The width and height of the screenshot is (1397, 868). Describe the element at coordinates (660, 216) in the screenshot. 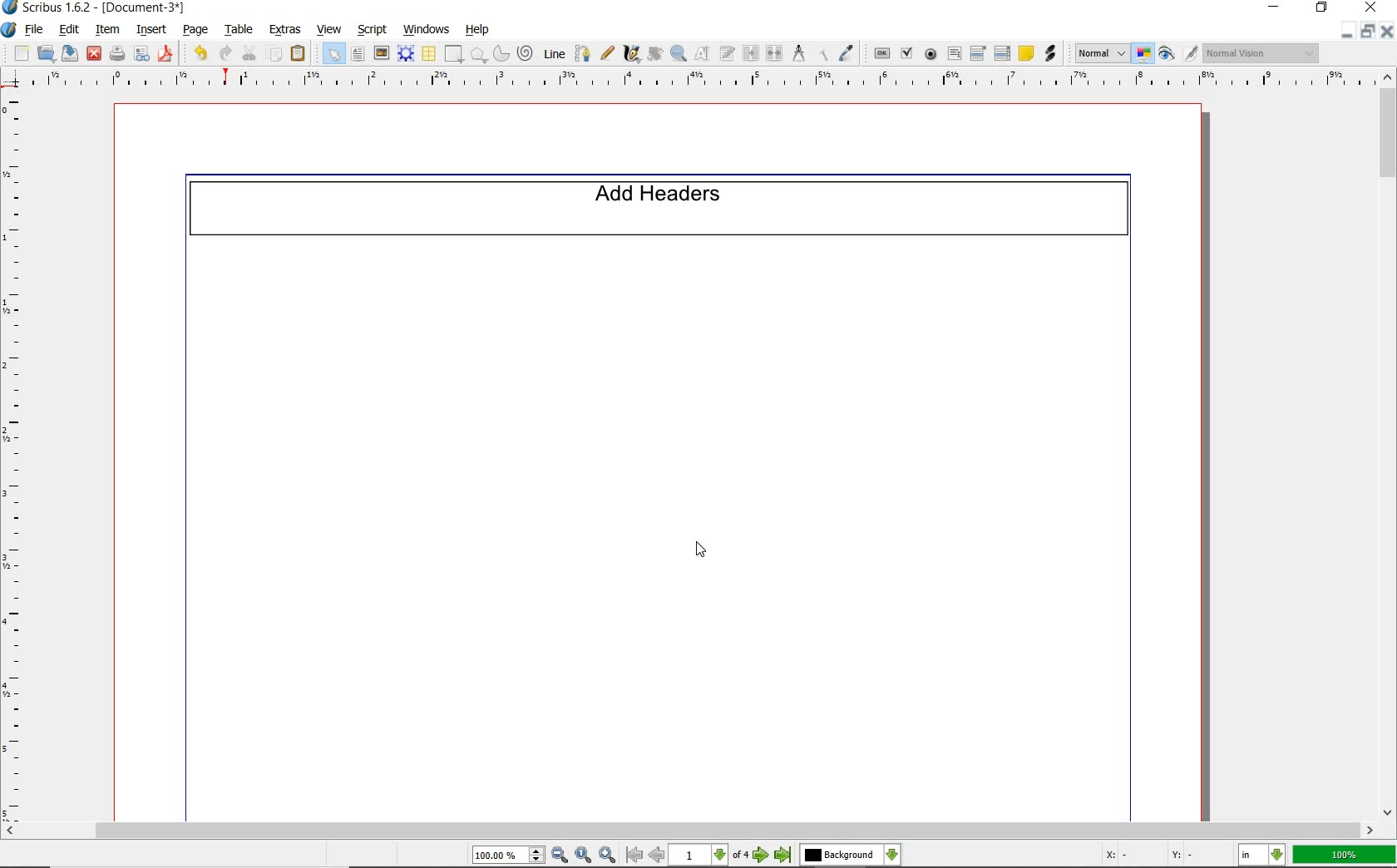

I see `Add headers` at that location.